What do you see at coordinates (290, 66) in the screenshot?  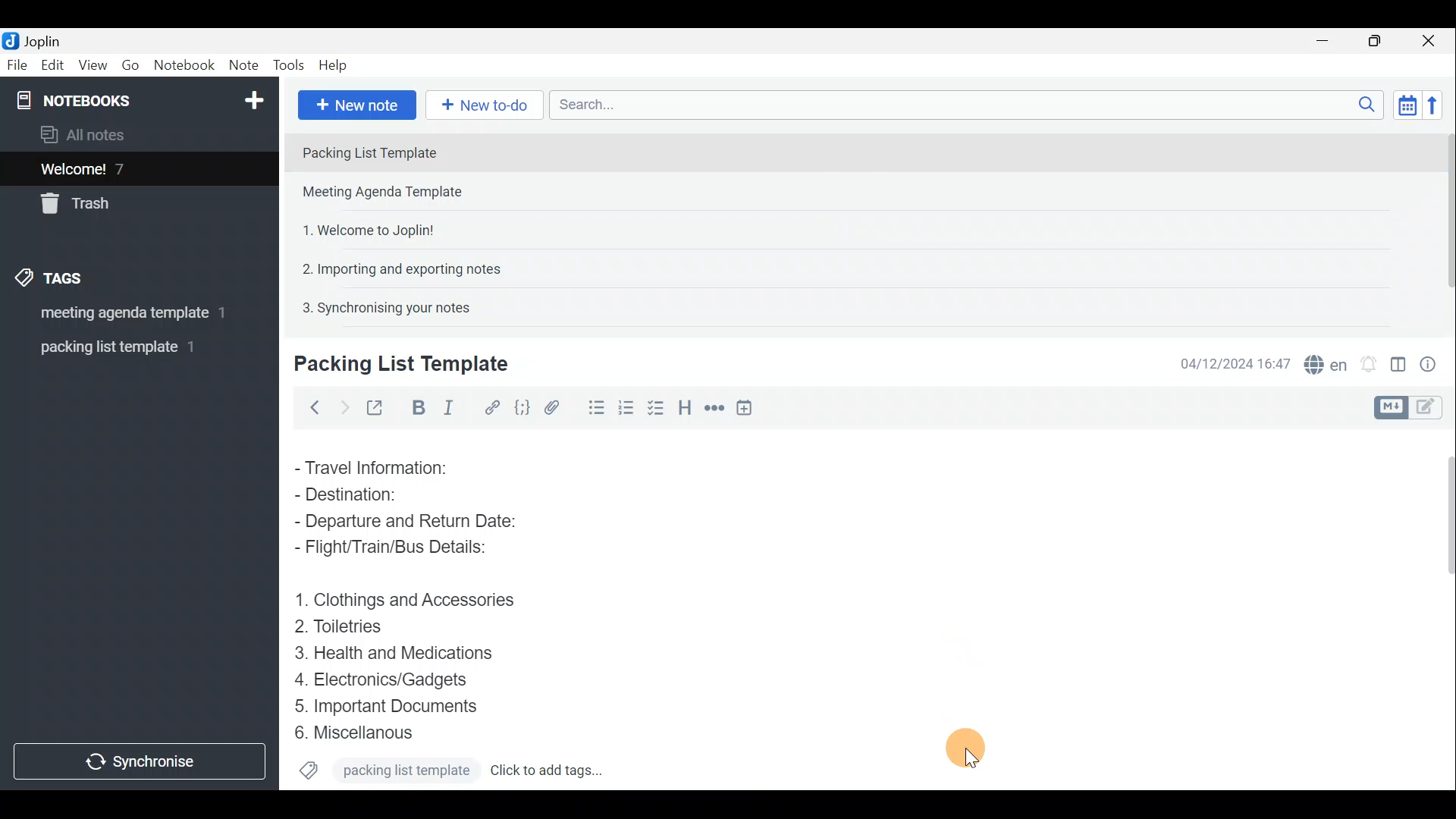 I see `Tools` at bounding box center [290, 66].